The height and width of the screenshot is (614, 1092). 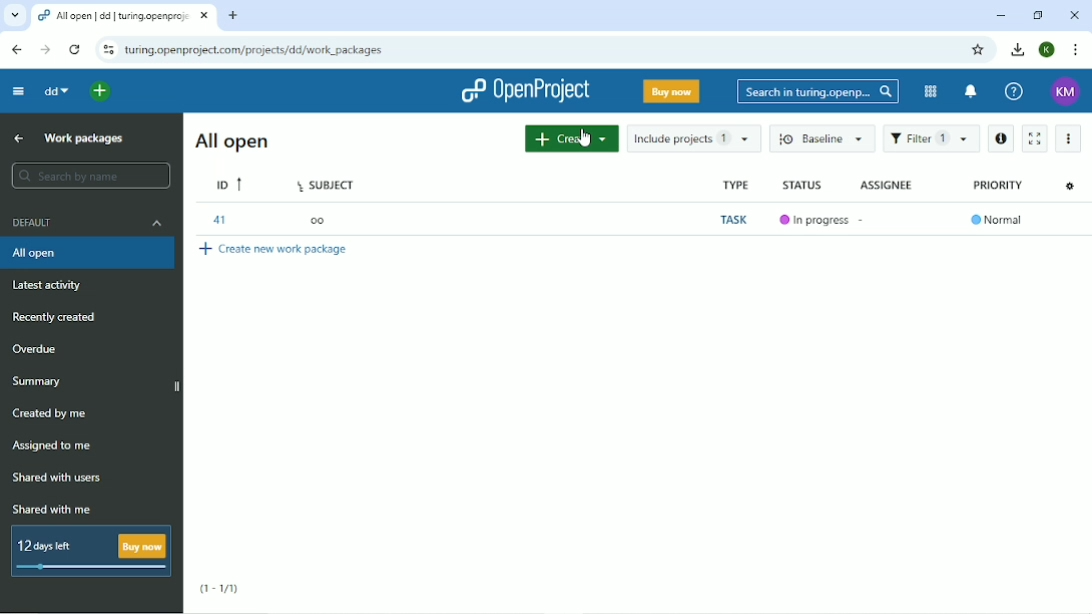 What do you see at coordinates (570, 139) in the screenshot?
I see `Create` at bounding box center [570, 139].